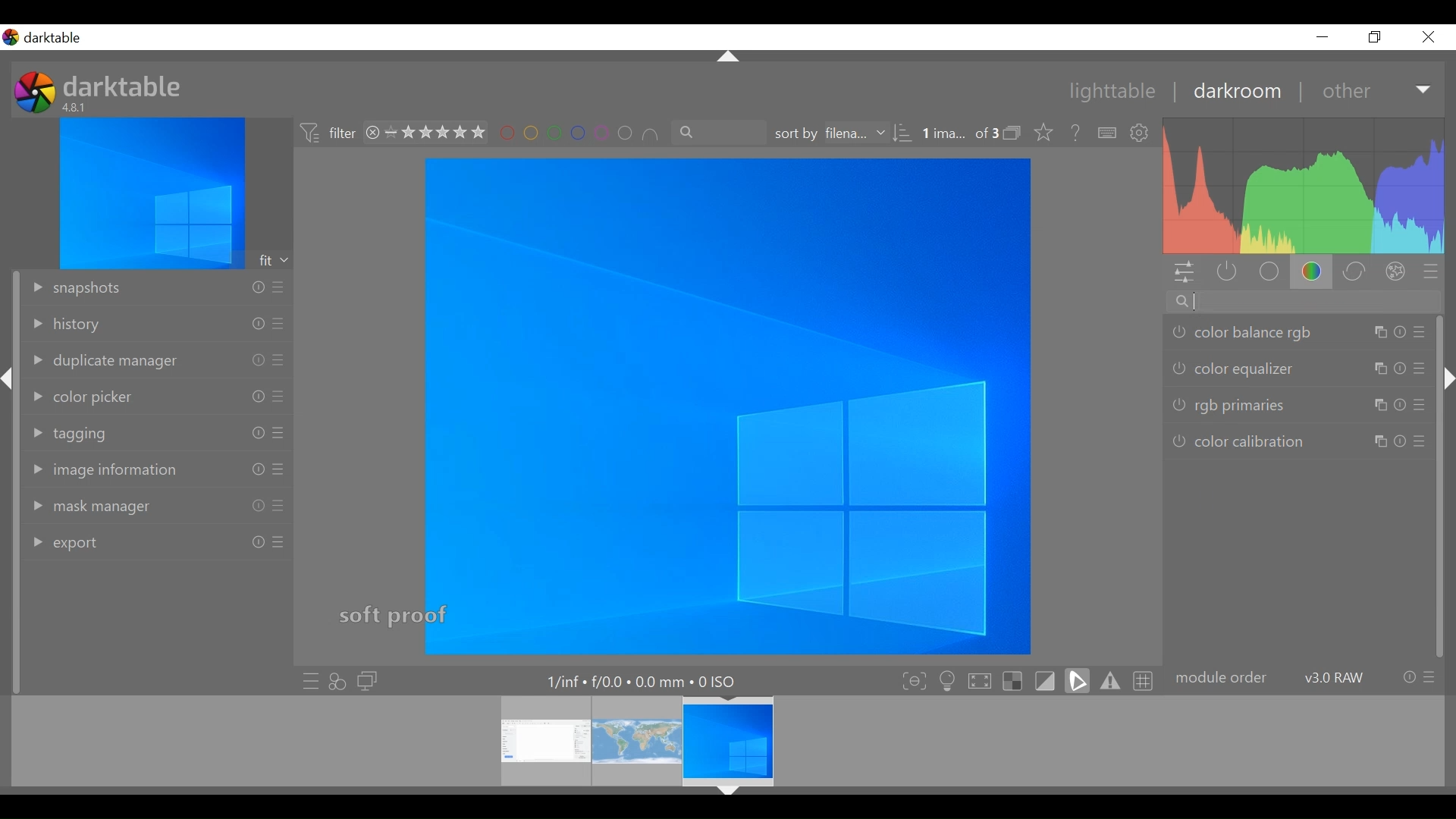 The image size is (1456, 819). Describe the element at coordinates (278, 507) in the screenshot. I see `presets` at that location.